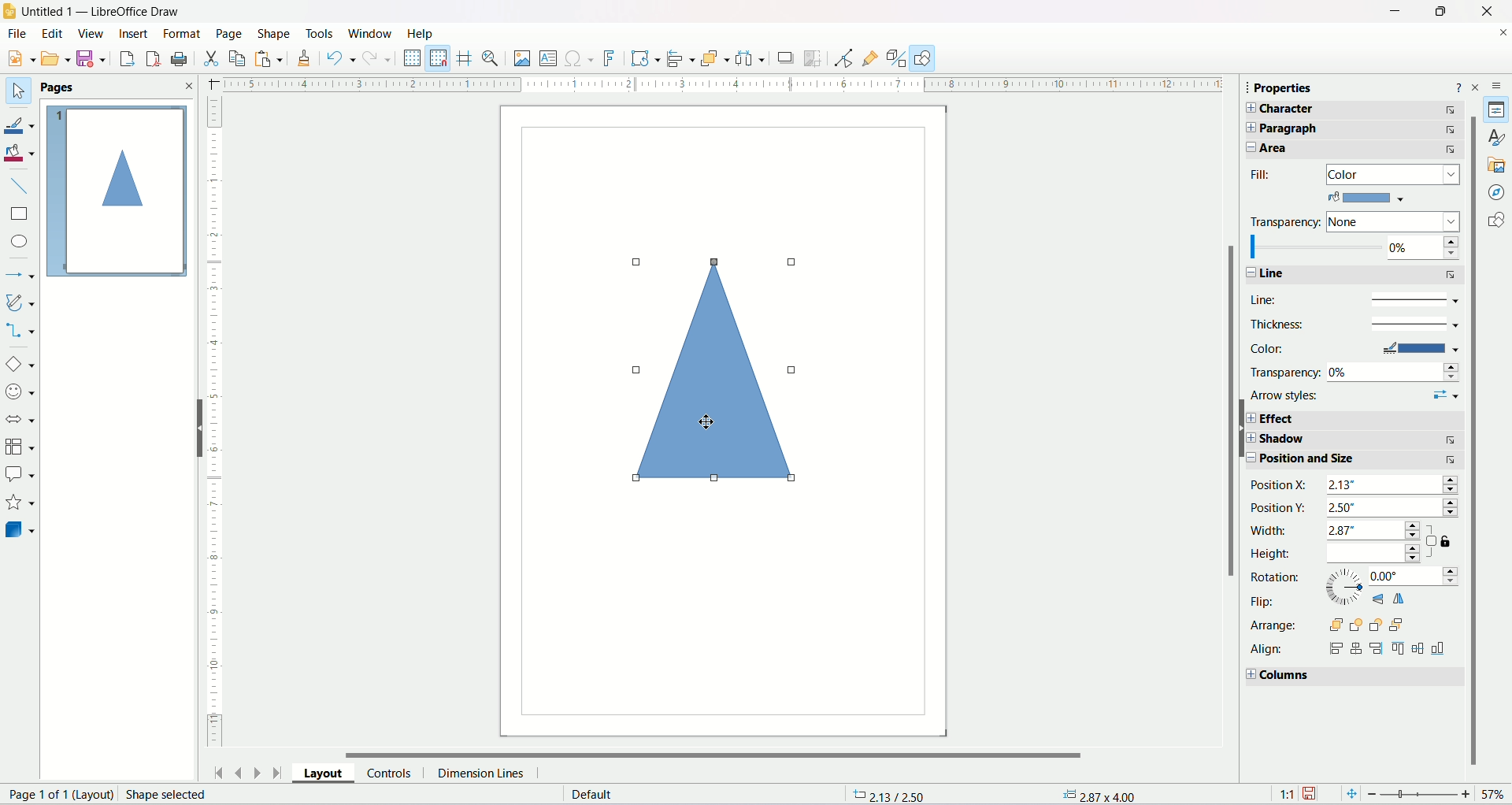 The height and width of the screenshot is (805, 1512). I want to click on Maximize, so click(1439, 11).